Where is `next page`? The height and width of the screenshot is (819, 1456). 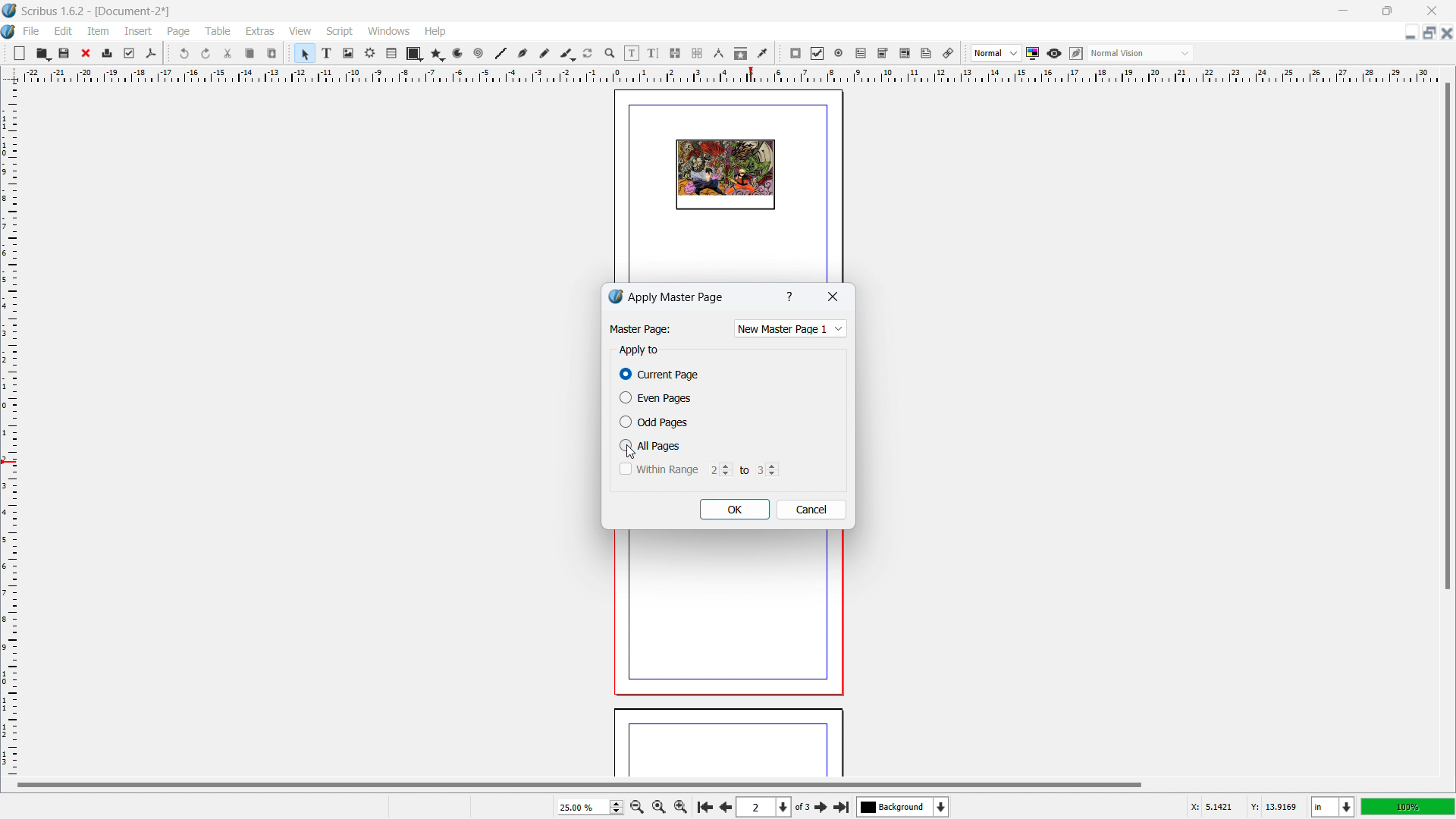 next page is located at coordinates (822, 806).